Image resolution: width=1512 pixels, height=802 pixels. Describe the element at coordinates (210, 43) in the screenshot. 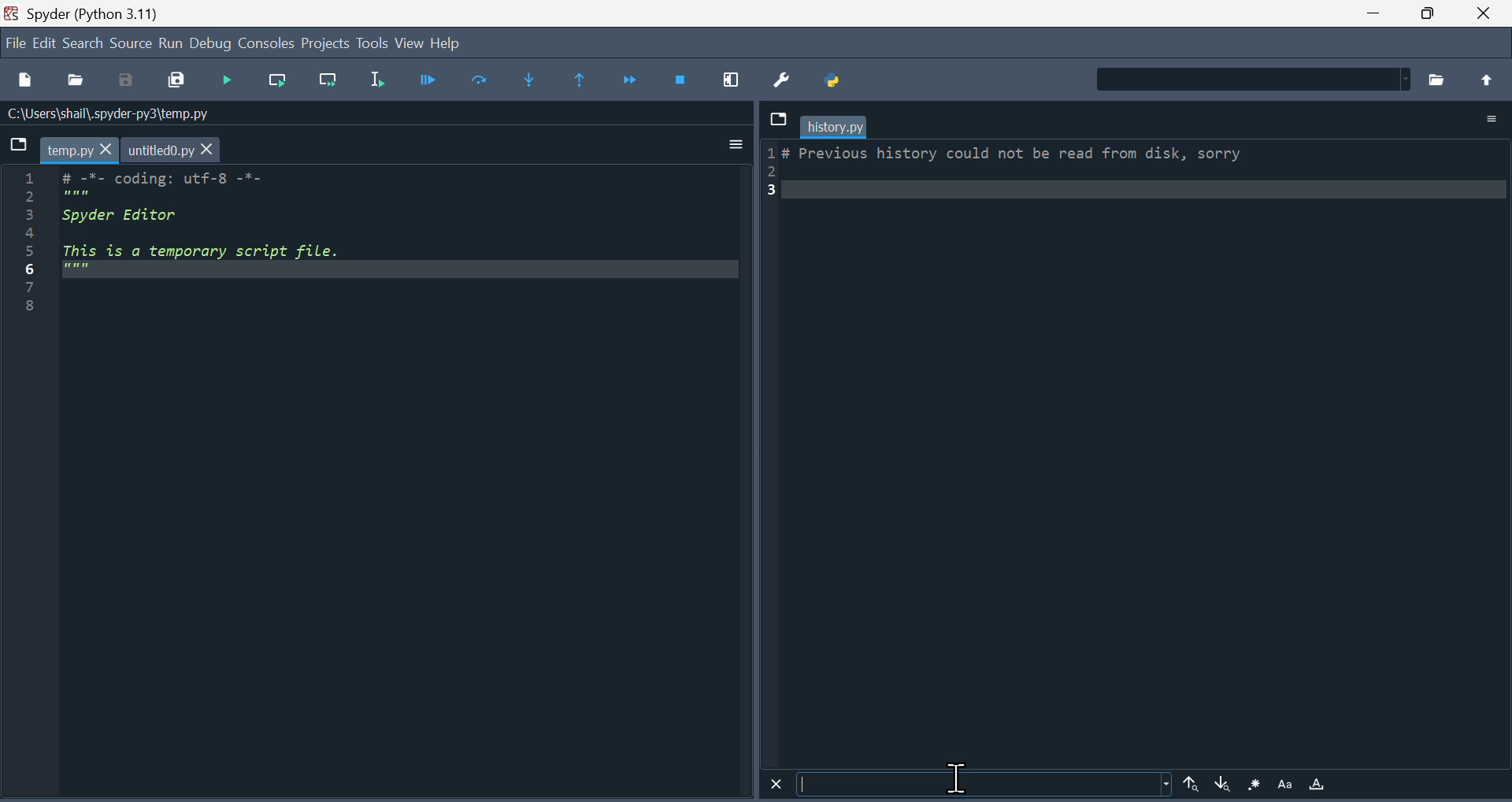

I see `Debug` at that location.